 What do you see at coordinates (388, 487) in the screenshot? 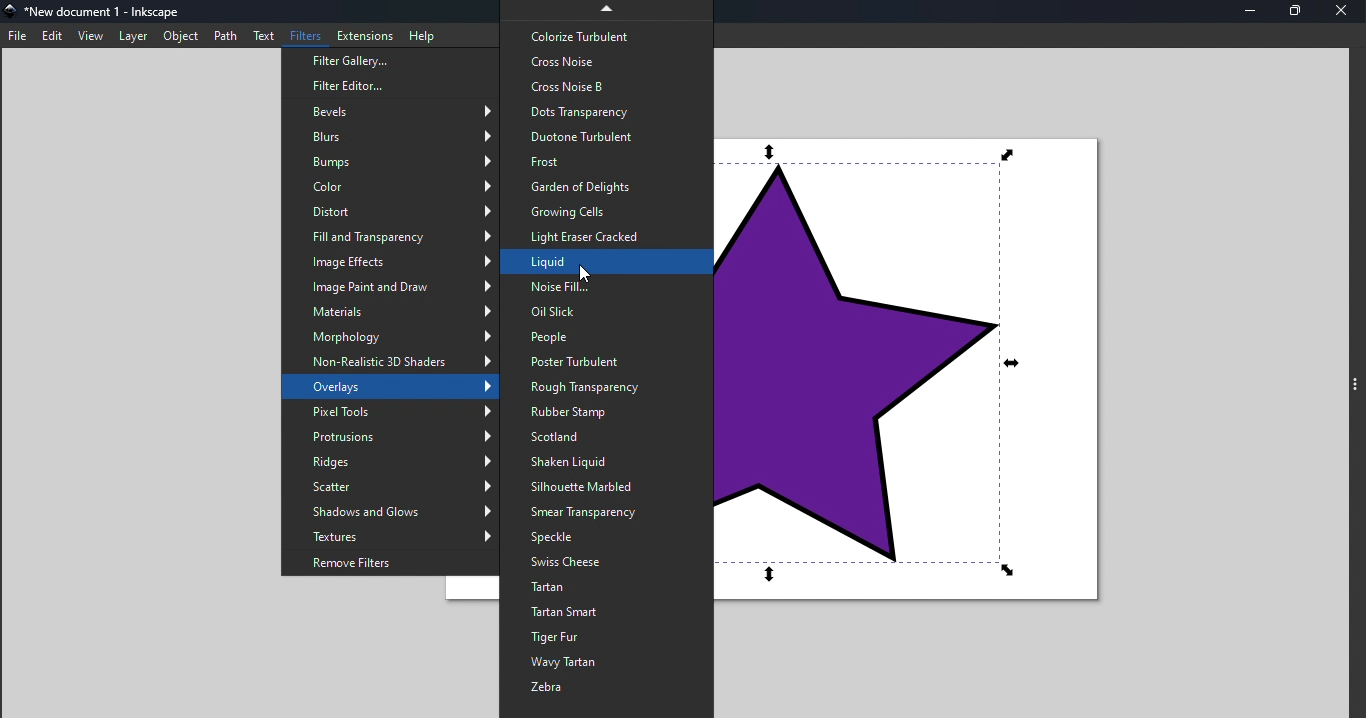
I see `Scatter` at bounding box center [388, 487].